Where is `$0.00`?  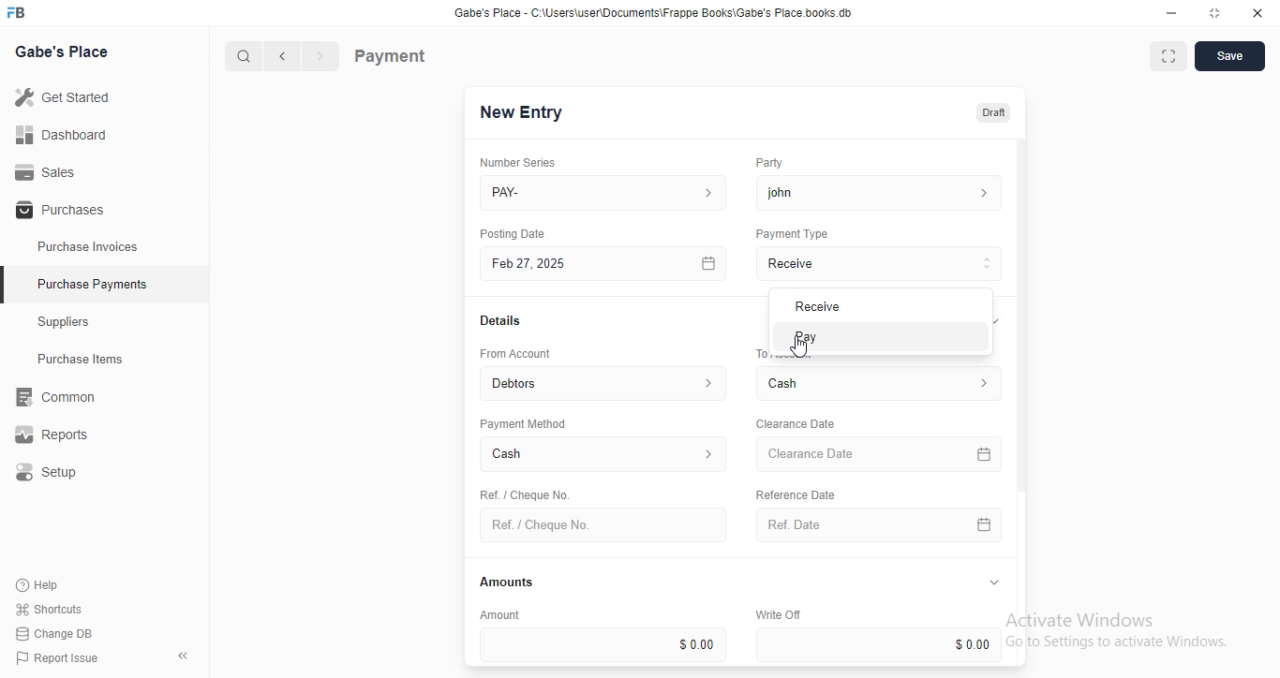 $0.00 is located at coordinates (603, 644).